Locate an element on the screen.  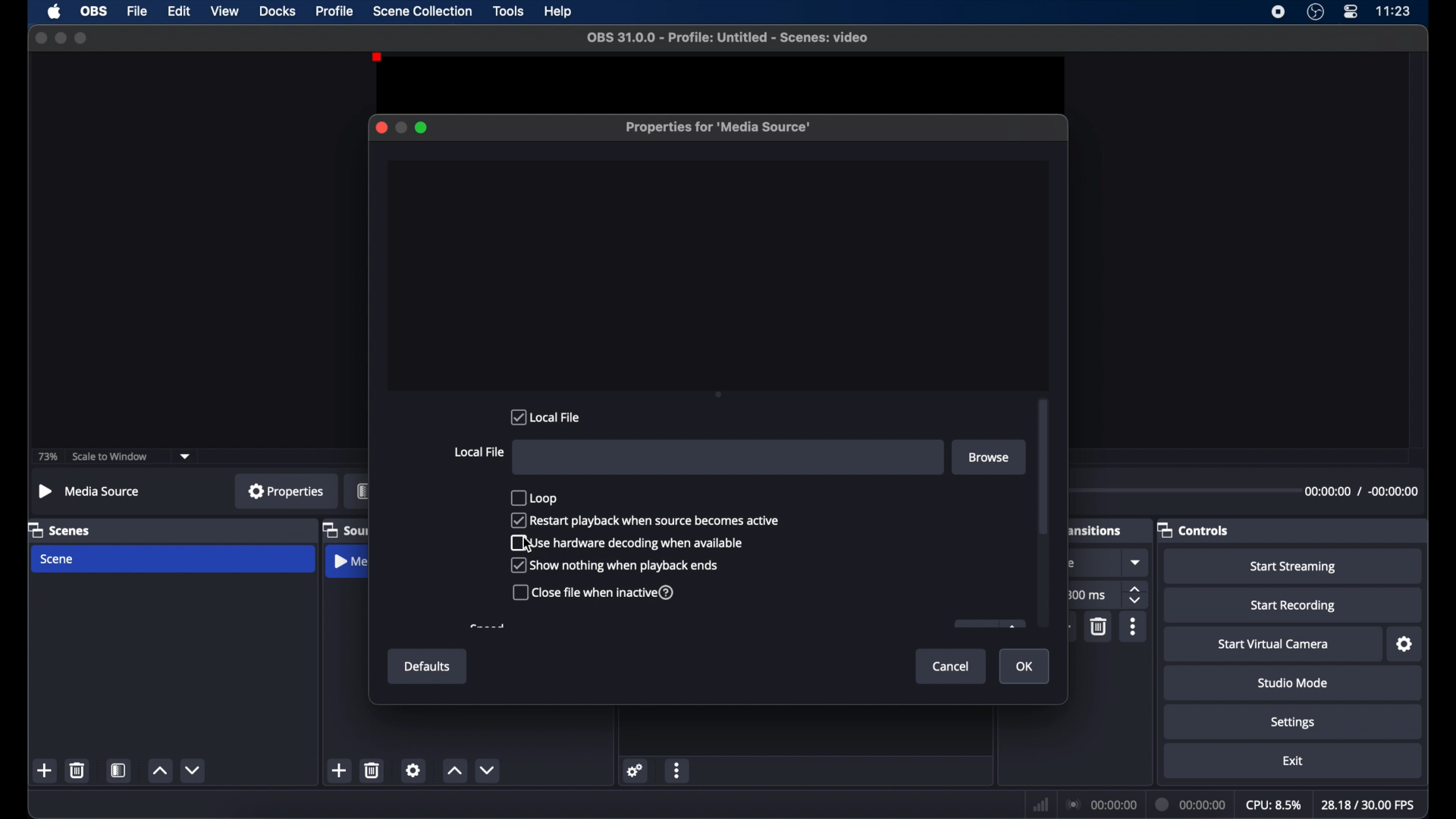
scenes is located at coordinates (60, 529).